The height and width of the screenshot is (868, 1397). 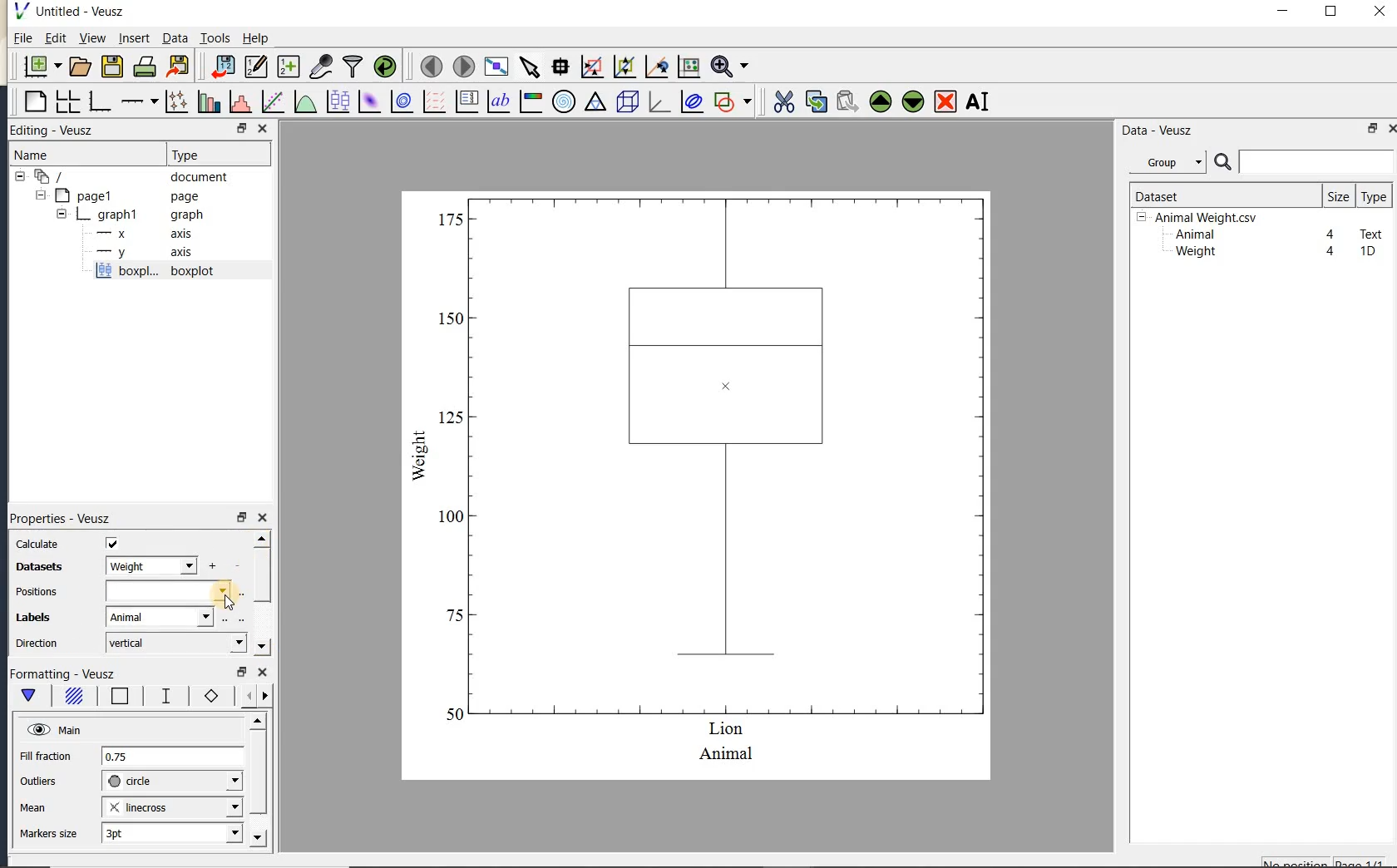 I want to click on Editing - Veusz, so click(x=61, y=131).